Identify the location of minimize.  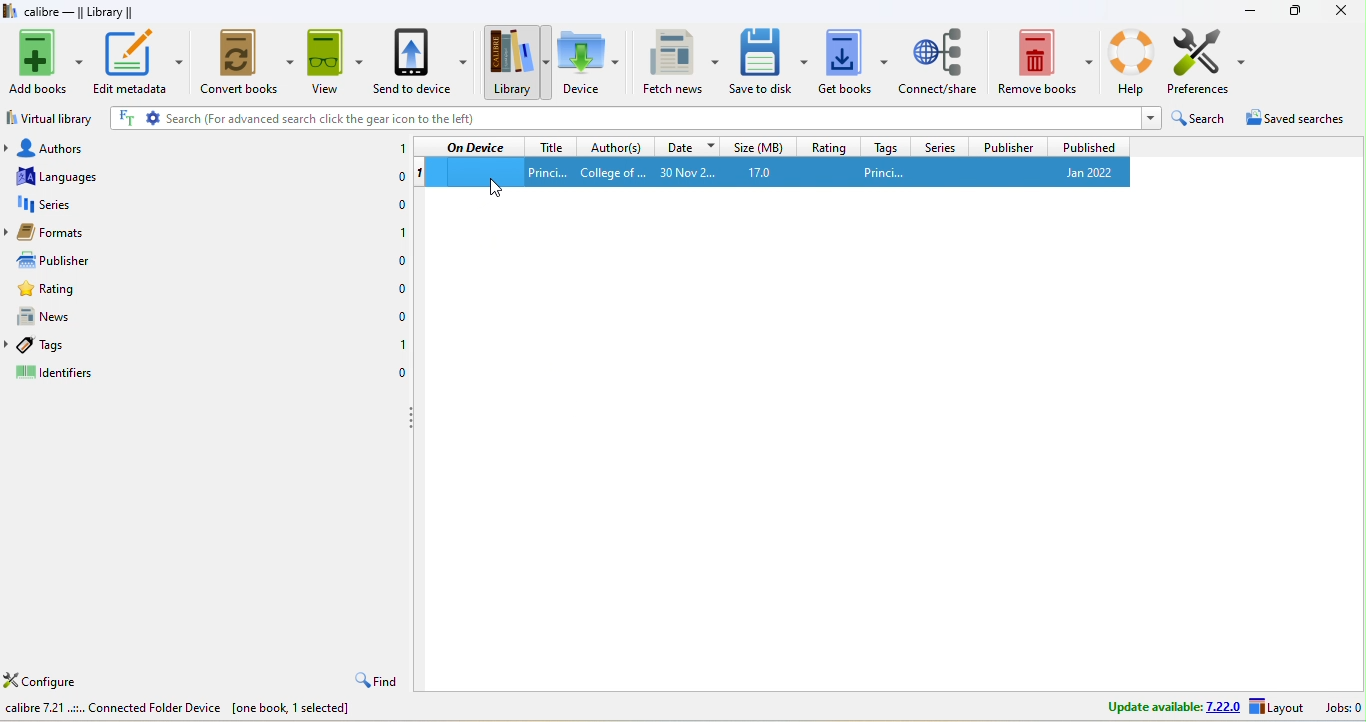
(1250, 10).